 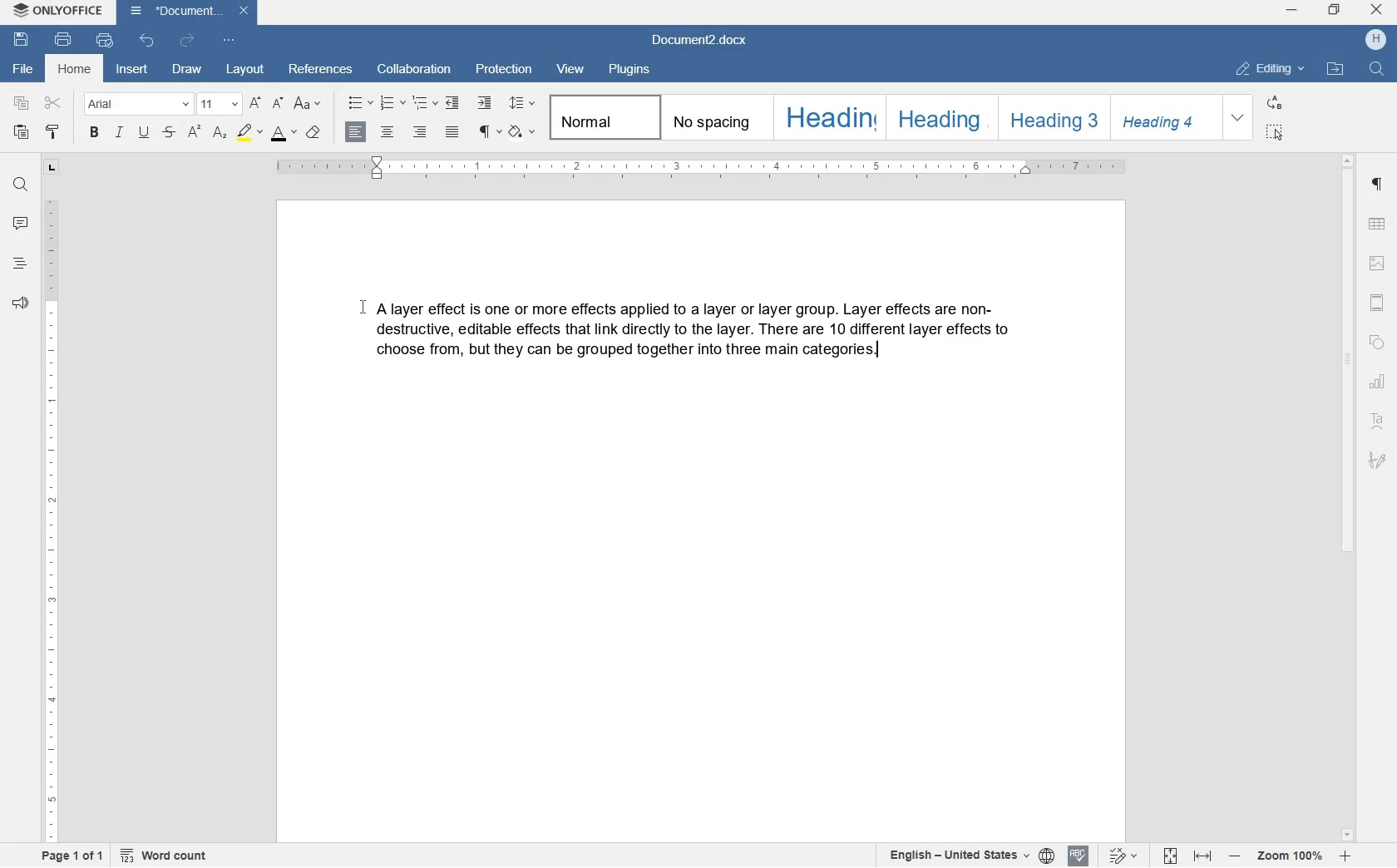 What do you see at coordinates (220, 104) in the screenshot?
I see `font size` at bounding box center [220, 104].